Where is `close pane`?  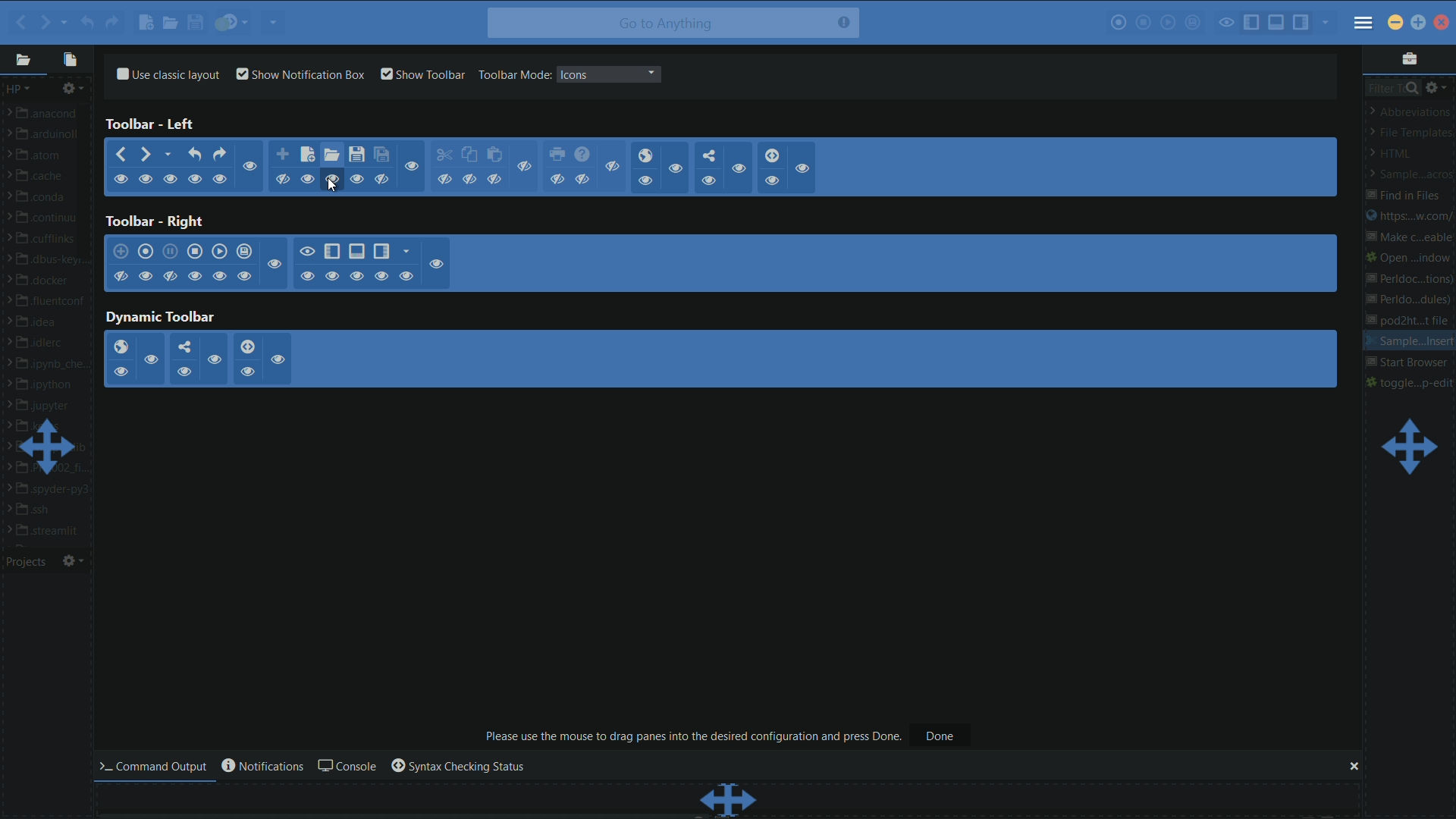 close pane is located at coordinates (1352, 767).